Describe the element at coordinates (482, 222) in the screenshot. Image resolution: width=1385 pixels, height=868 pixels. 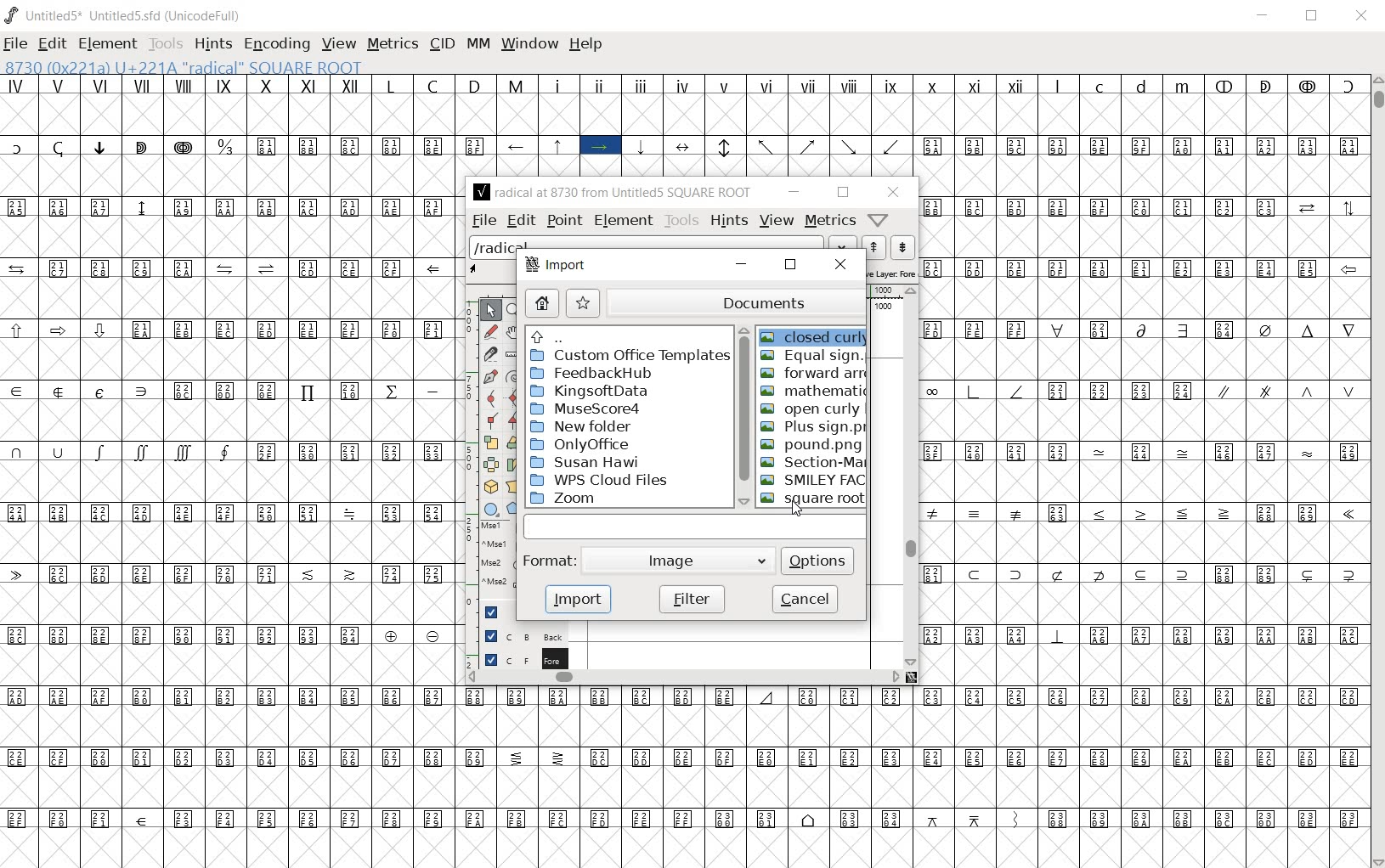
I see `file` at that location.